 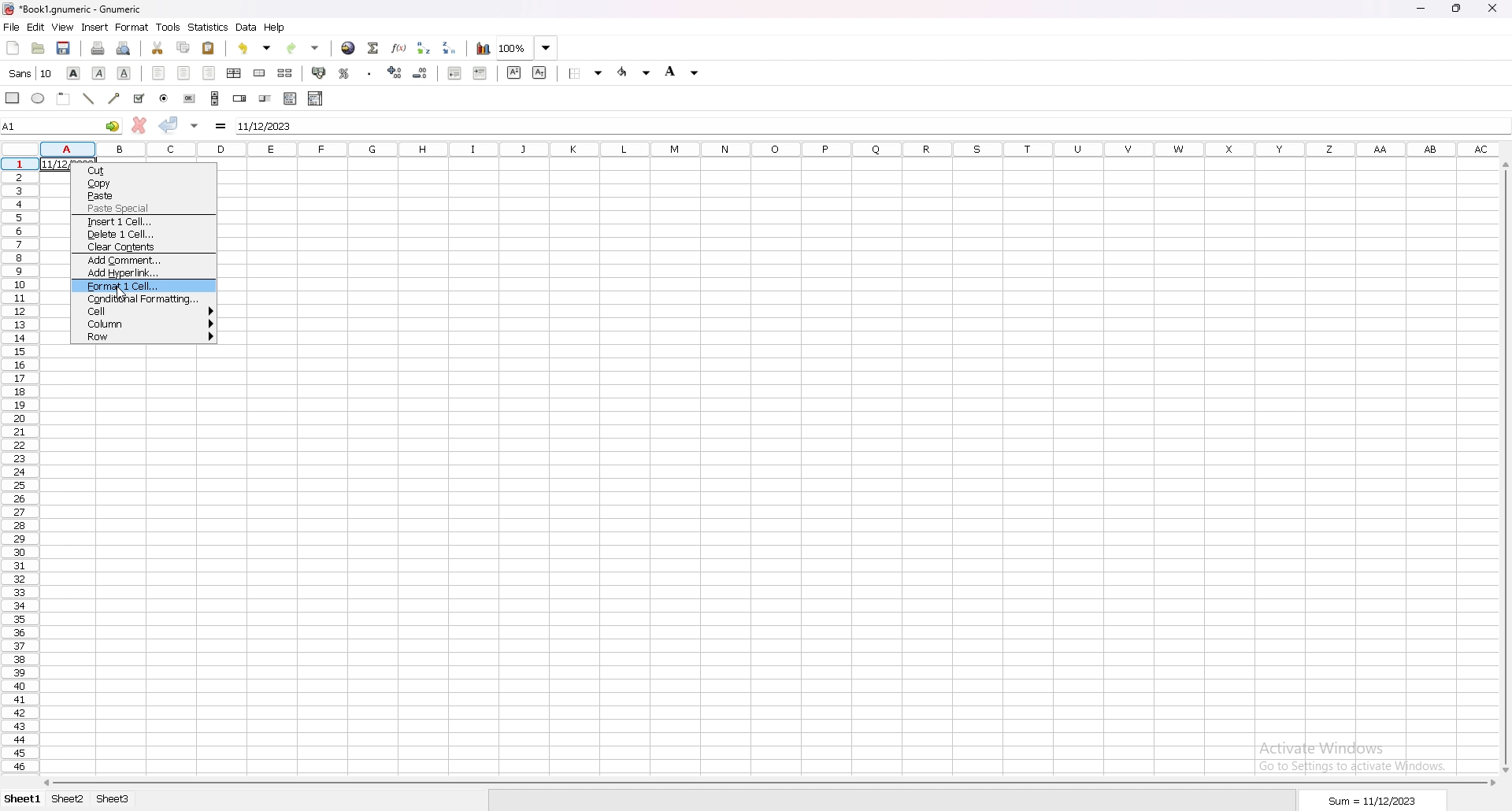 I want to click on new, so click(x=13, y=48).